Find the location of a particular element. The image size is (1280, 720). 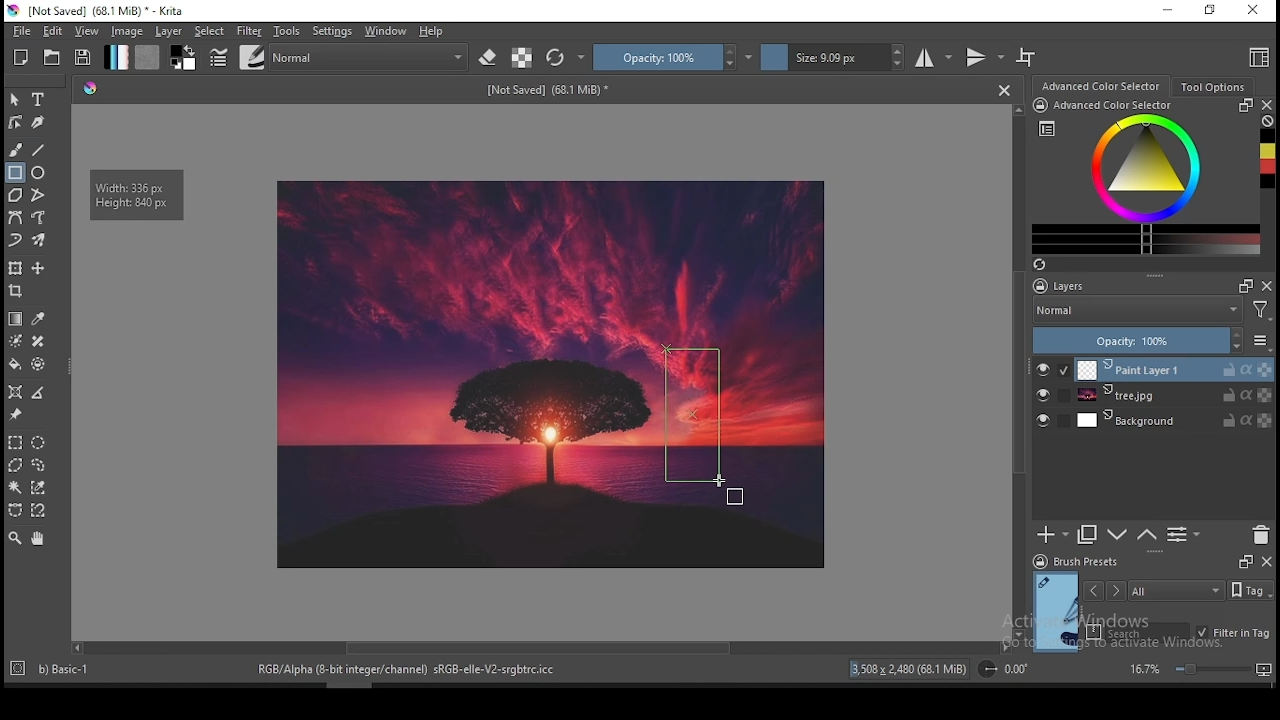

duplicate layer is located at coordinates (1088, 536).